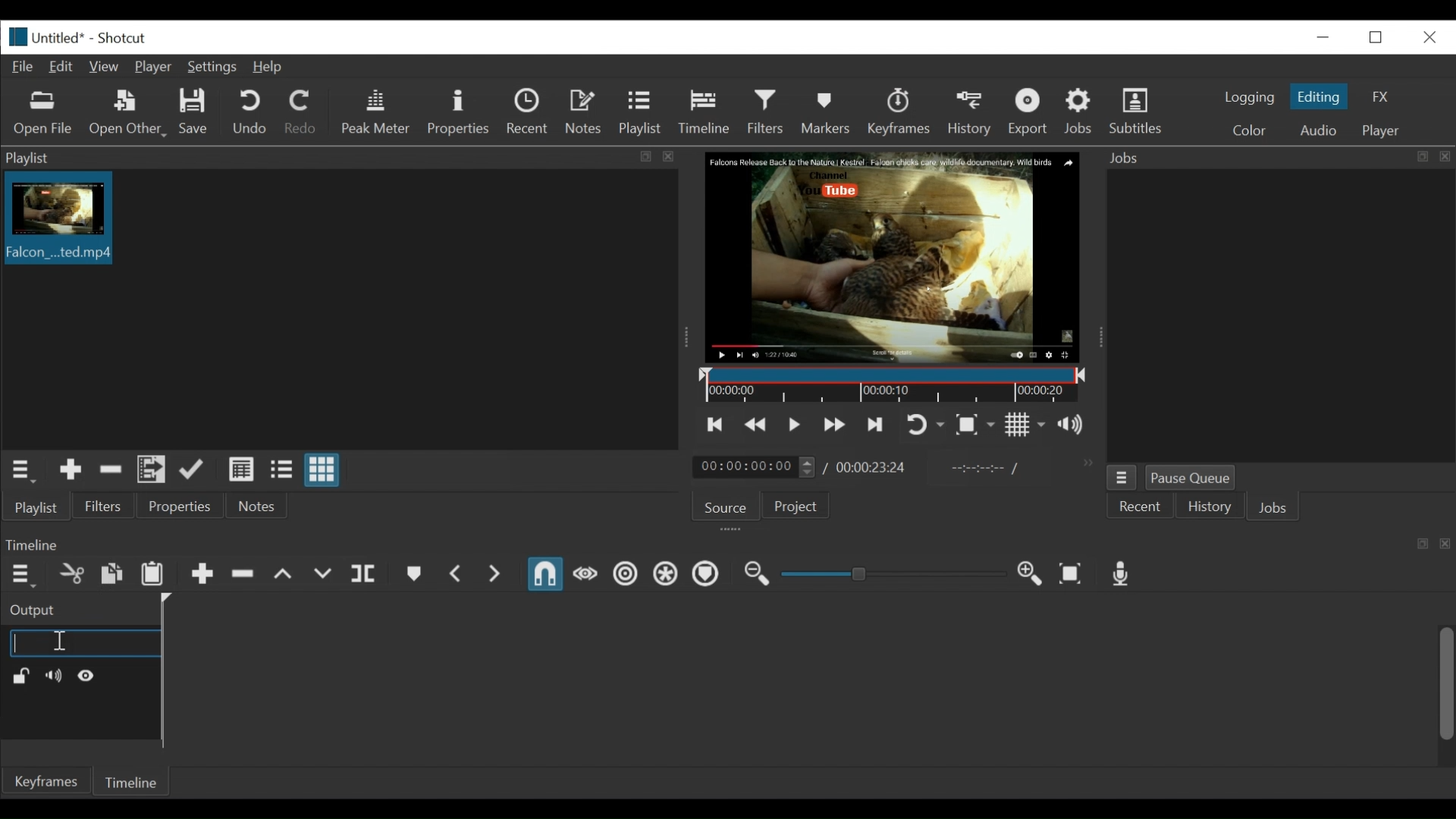 The height and width of the screenshot is (819, 1456). Describe the element at coordinates (1377, 96) in the screenshot. I see `FX` at that location.